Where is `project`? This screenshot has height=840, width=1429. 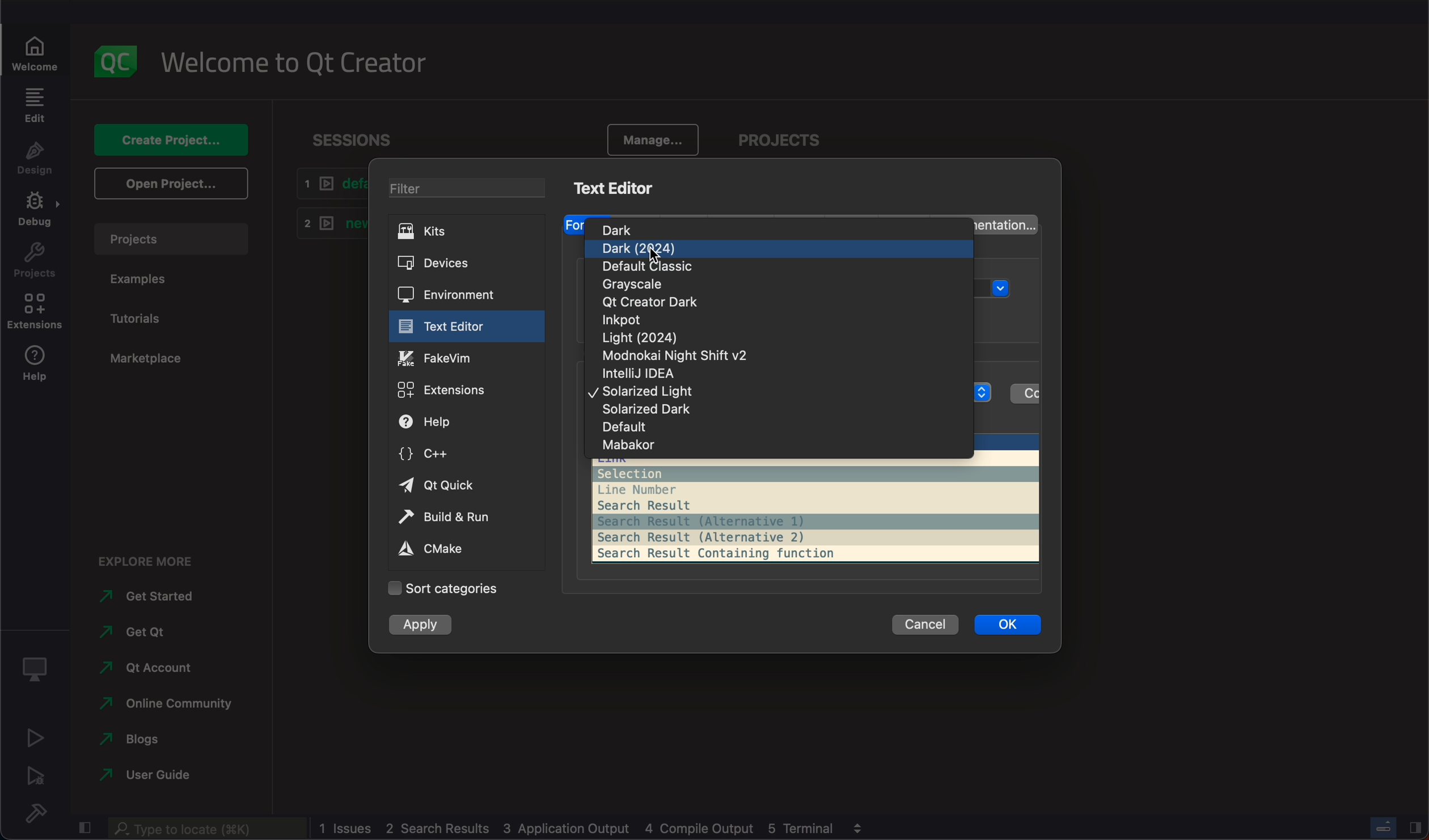
project is located at coordinates (35, 262).